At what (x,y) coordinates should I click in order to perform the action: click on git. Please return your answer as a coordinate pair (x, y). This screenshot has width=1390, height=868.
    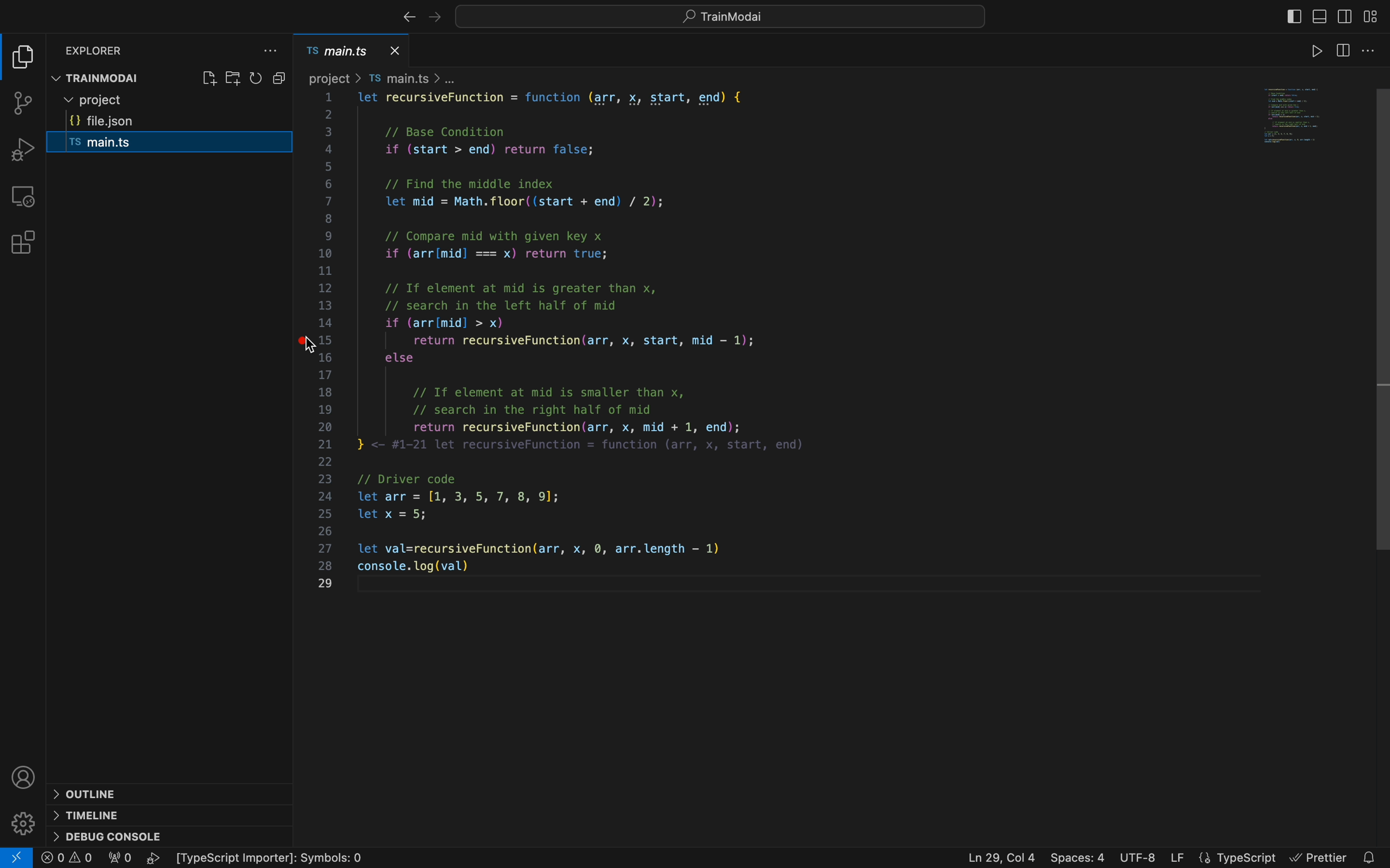
    Looking at the image, I should click on (23, 105).